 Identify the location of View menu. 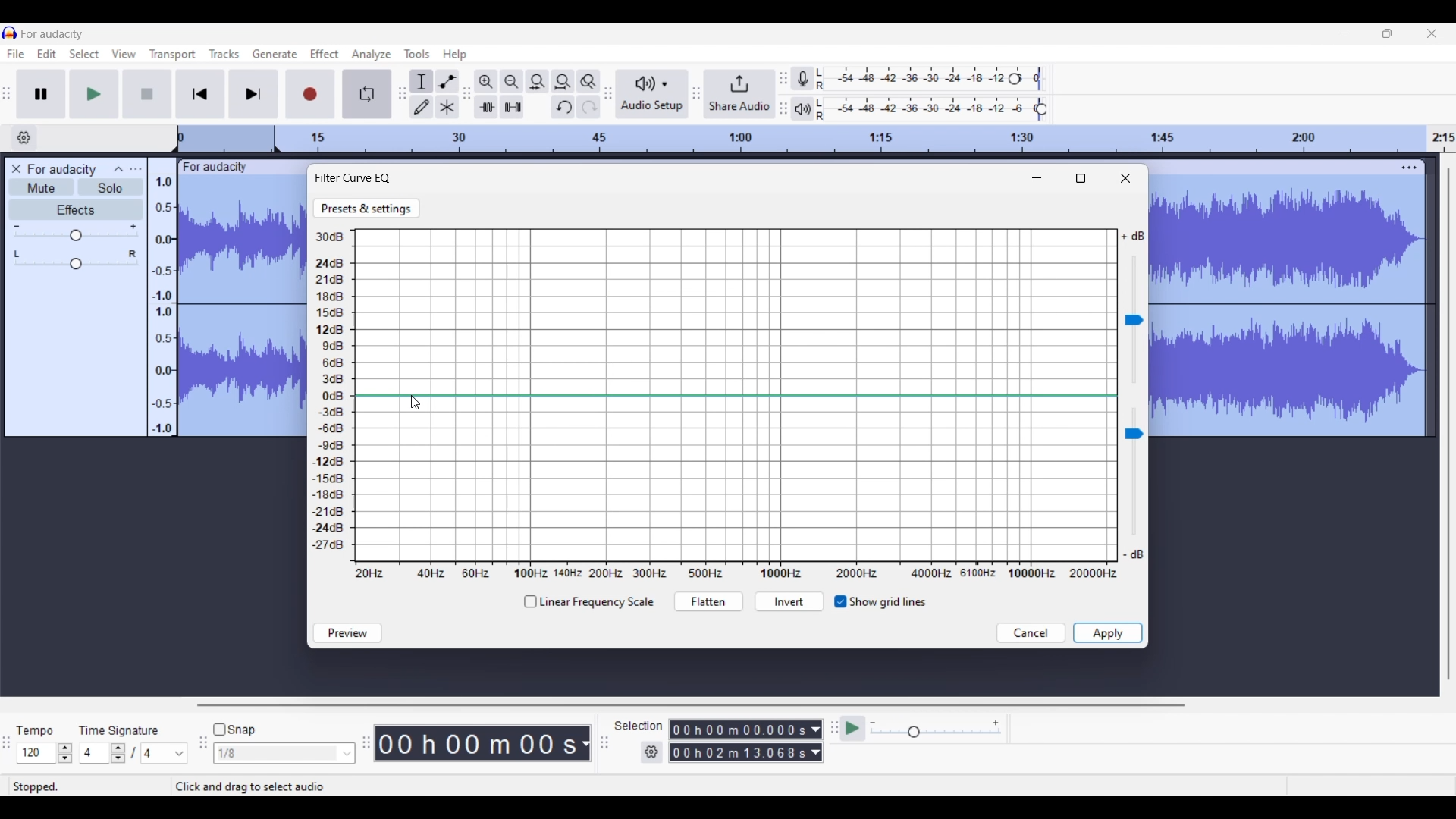
(124, 54).